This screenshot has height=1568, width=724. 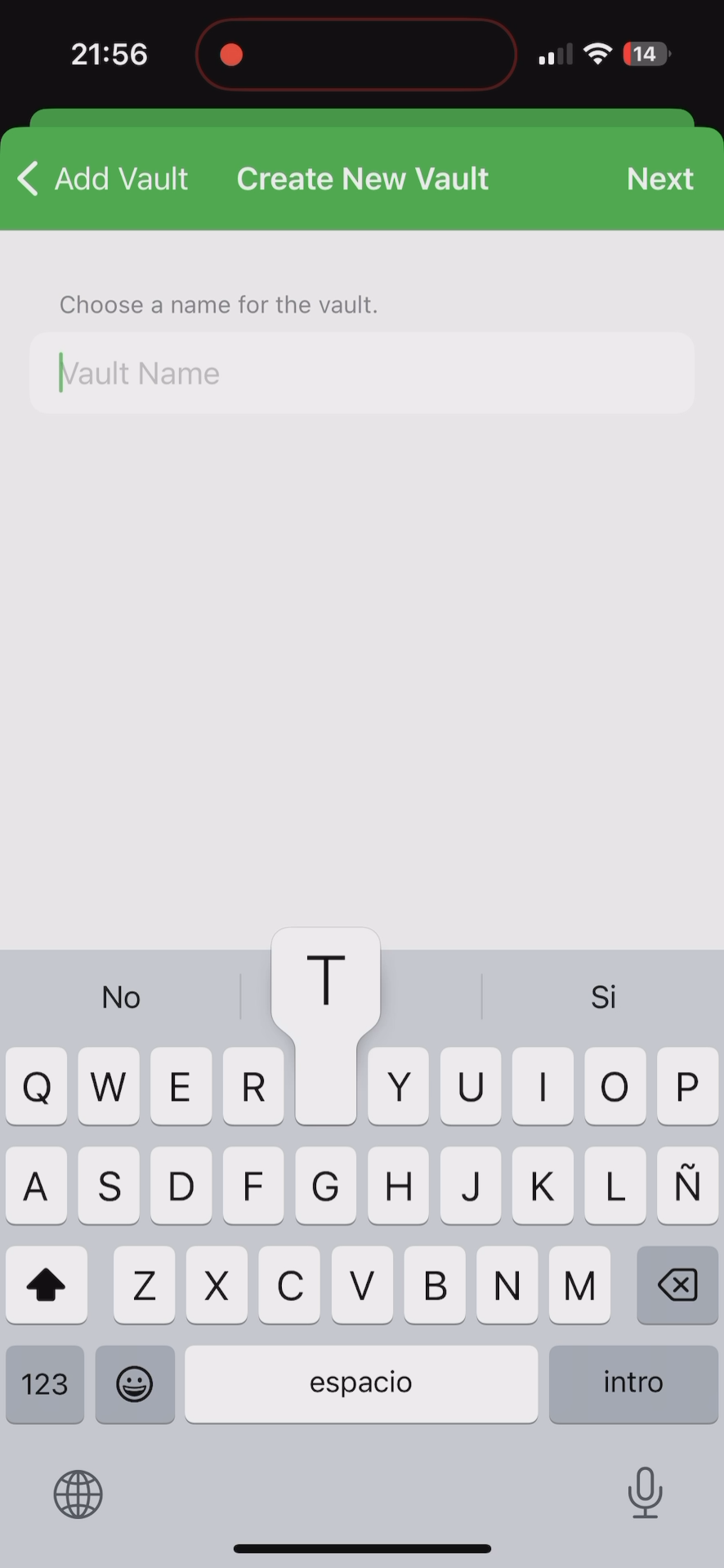 What do you see at coordinates (649, 1491) in the screenshot?
I see `voice input` at bounding box center [649, 1491].